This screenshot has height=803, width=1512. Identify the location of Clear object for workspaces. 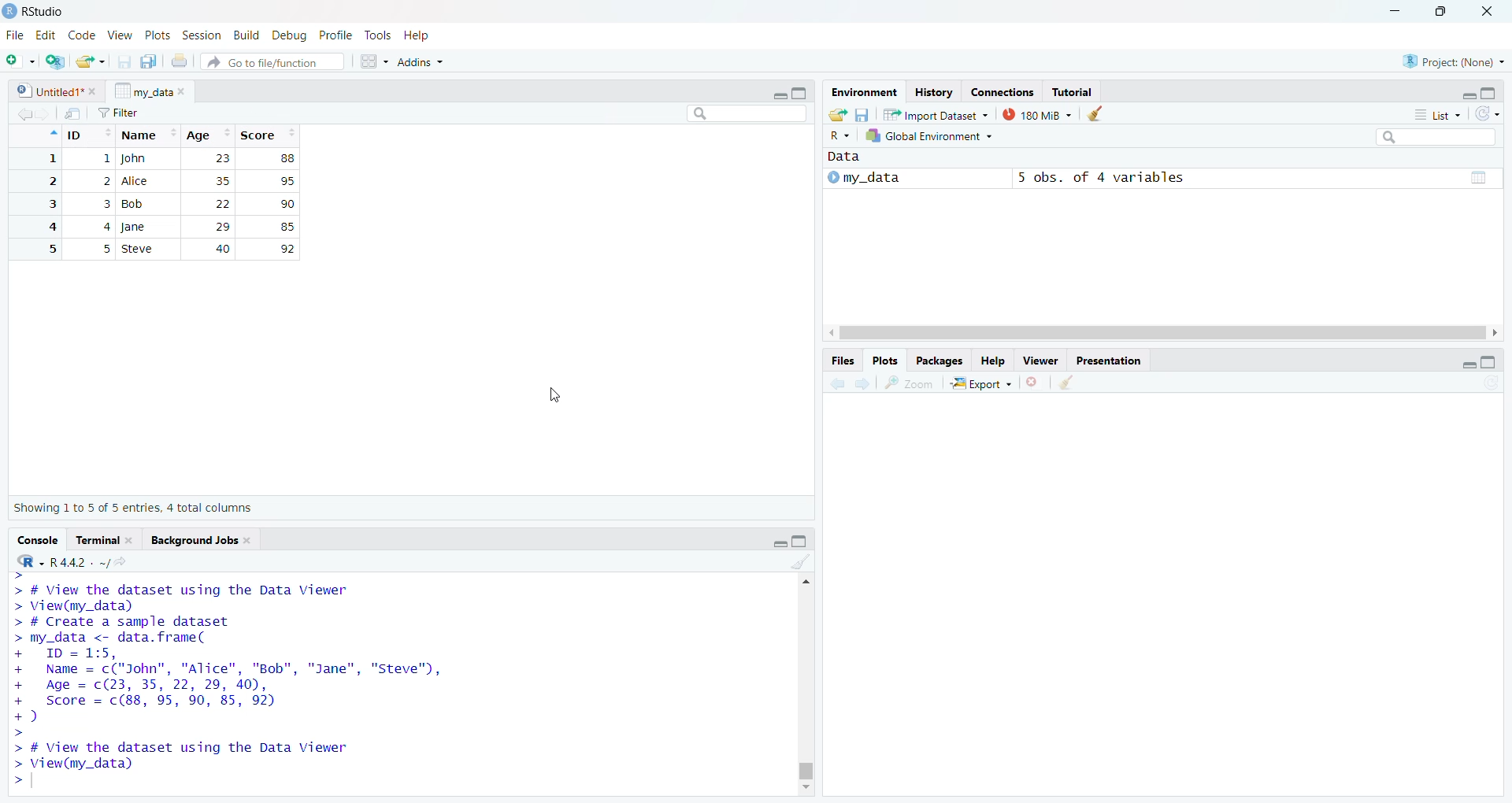
(1073, 383).